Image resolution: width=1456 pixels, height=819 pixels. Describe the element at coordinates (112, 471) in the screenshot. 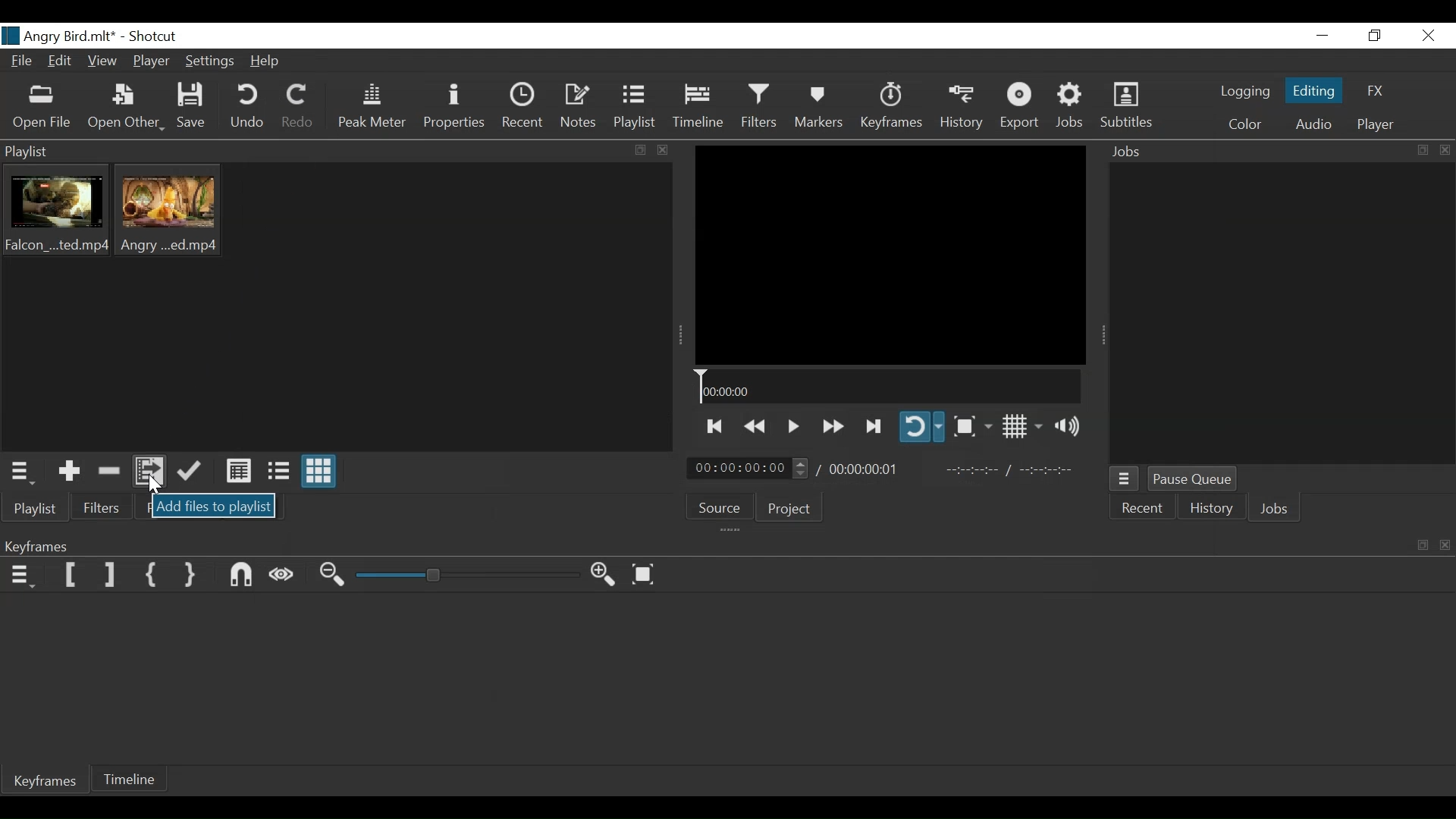

I see `Remove cut` at that location.